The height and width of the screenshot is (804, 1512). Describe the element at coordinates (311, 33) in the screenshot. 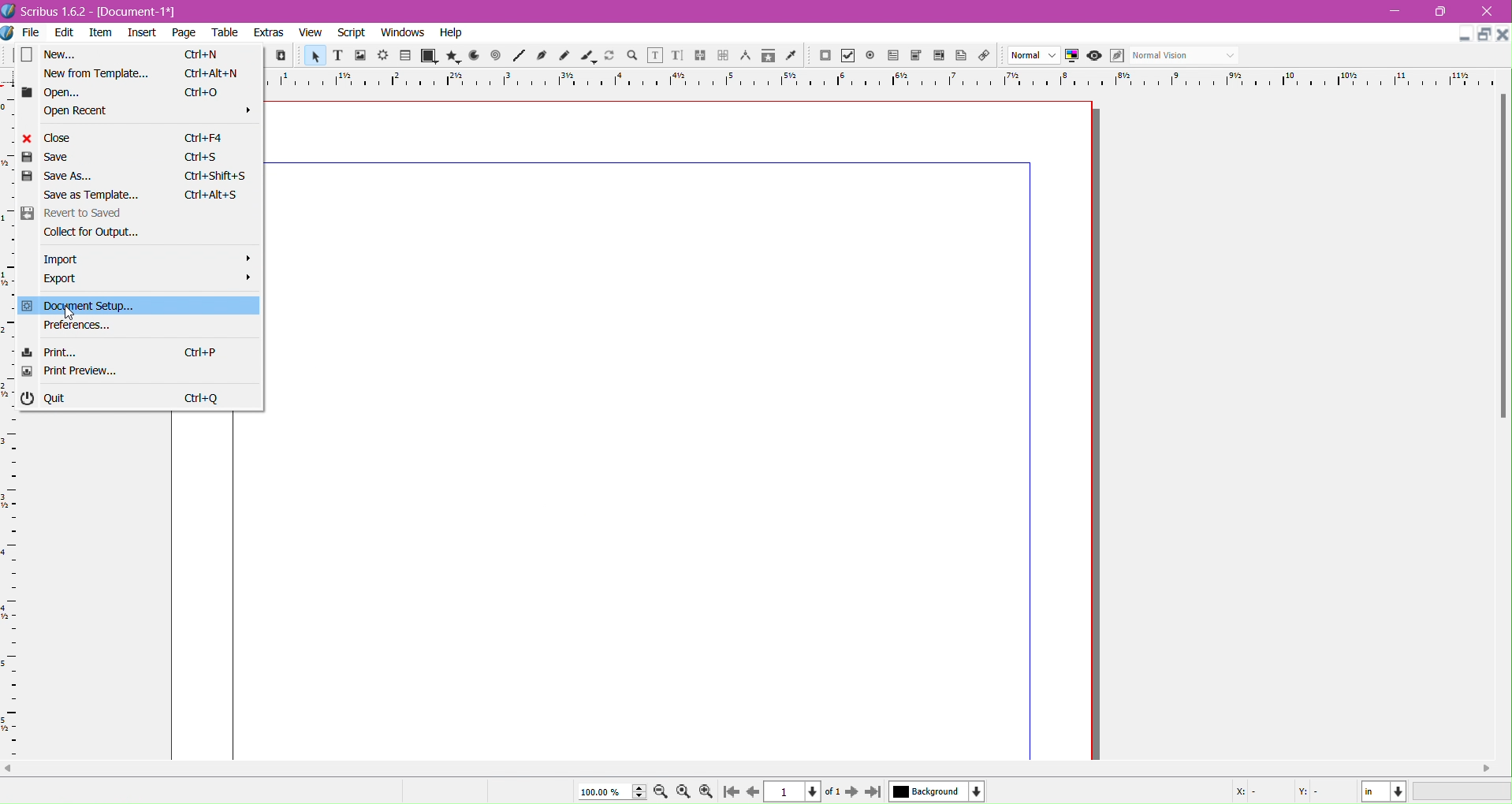

I see `view menu` at that location.